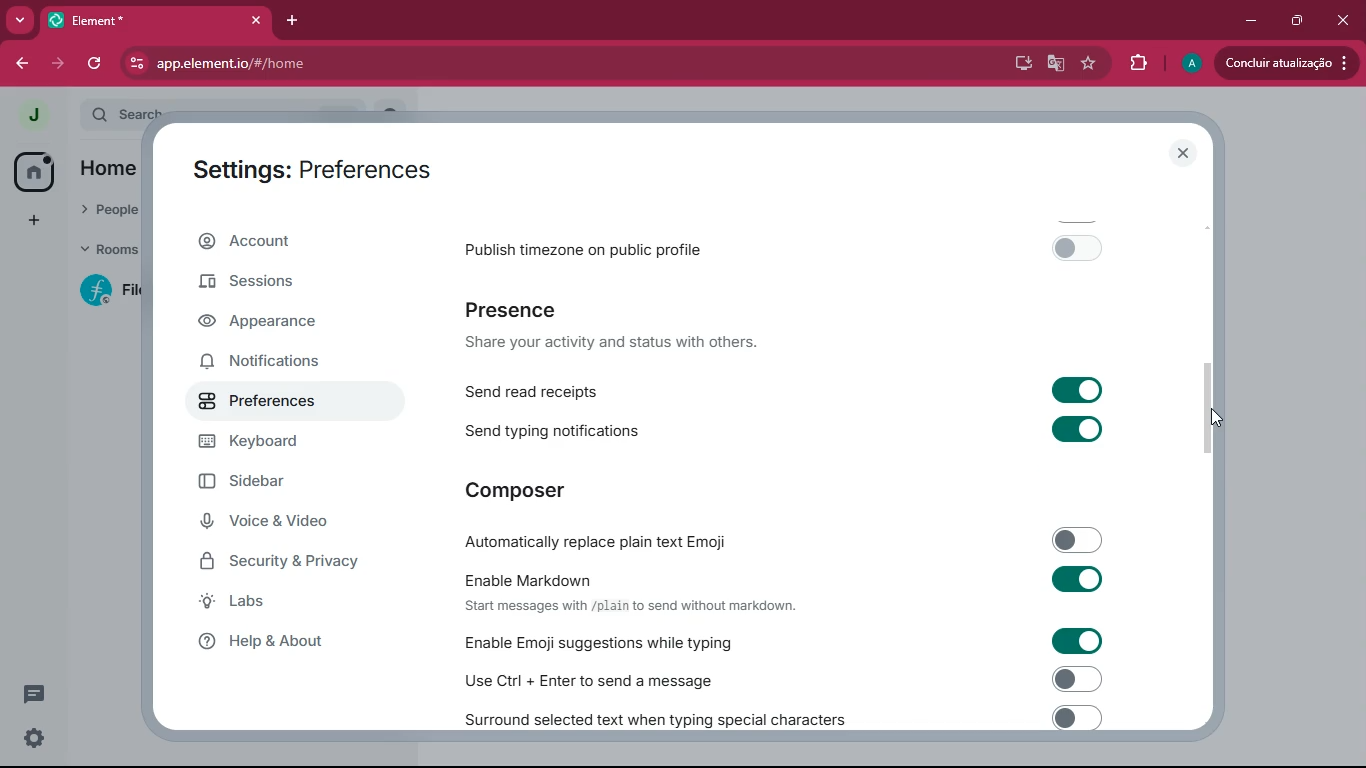  I want to click on voice, so click(276, 523).